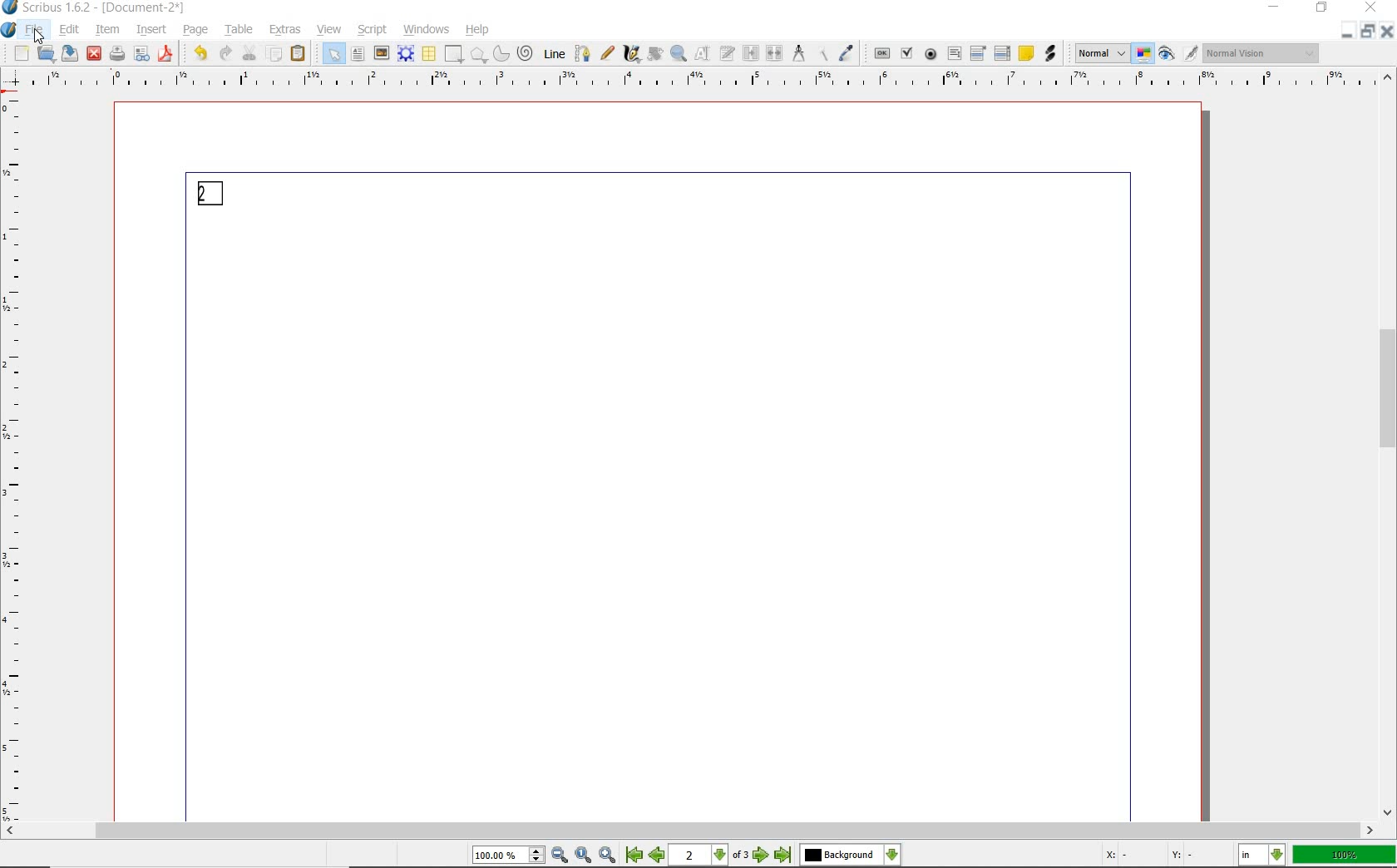 The width and height of the screenshot is (1397, 868). I want to click on Previous Page, so click(659, 857).